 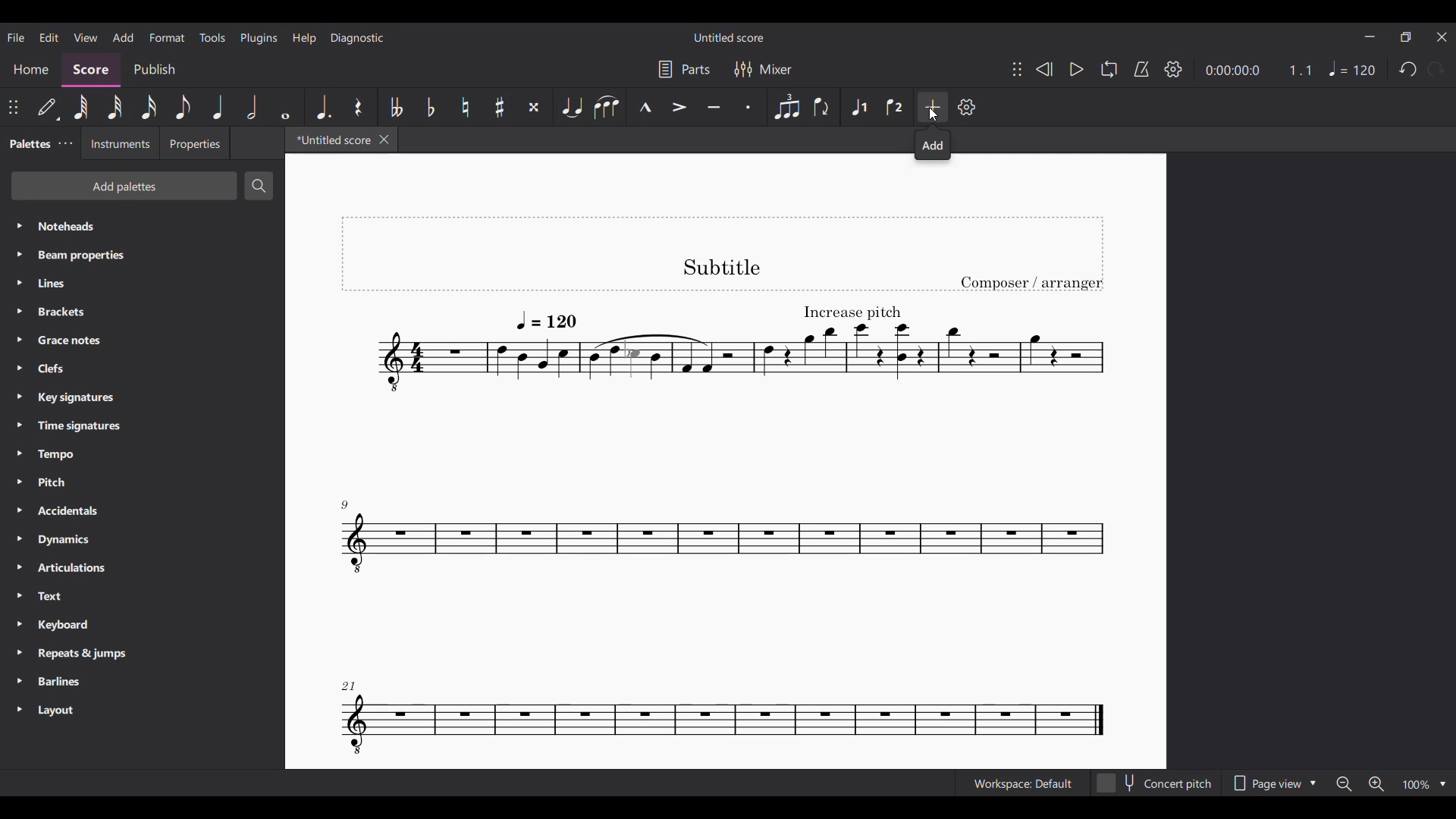 I want to click on Voice 1, so click(x=859, y=107).